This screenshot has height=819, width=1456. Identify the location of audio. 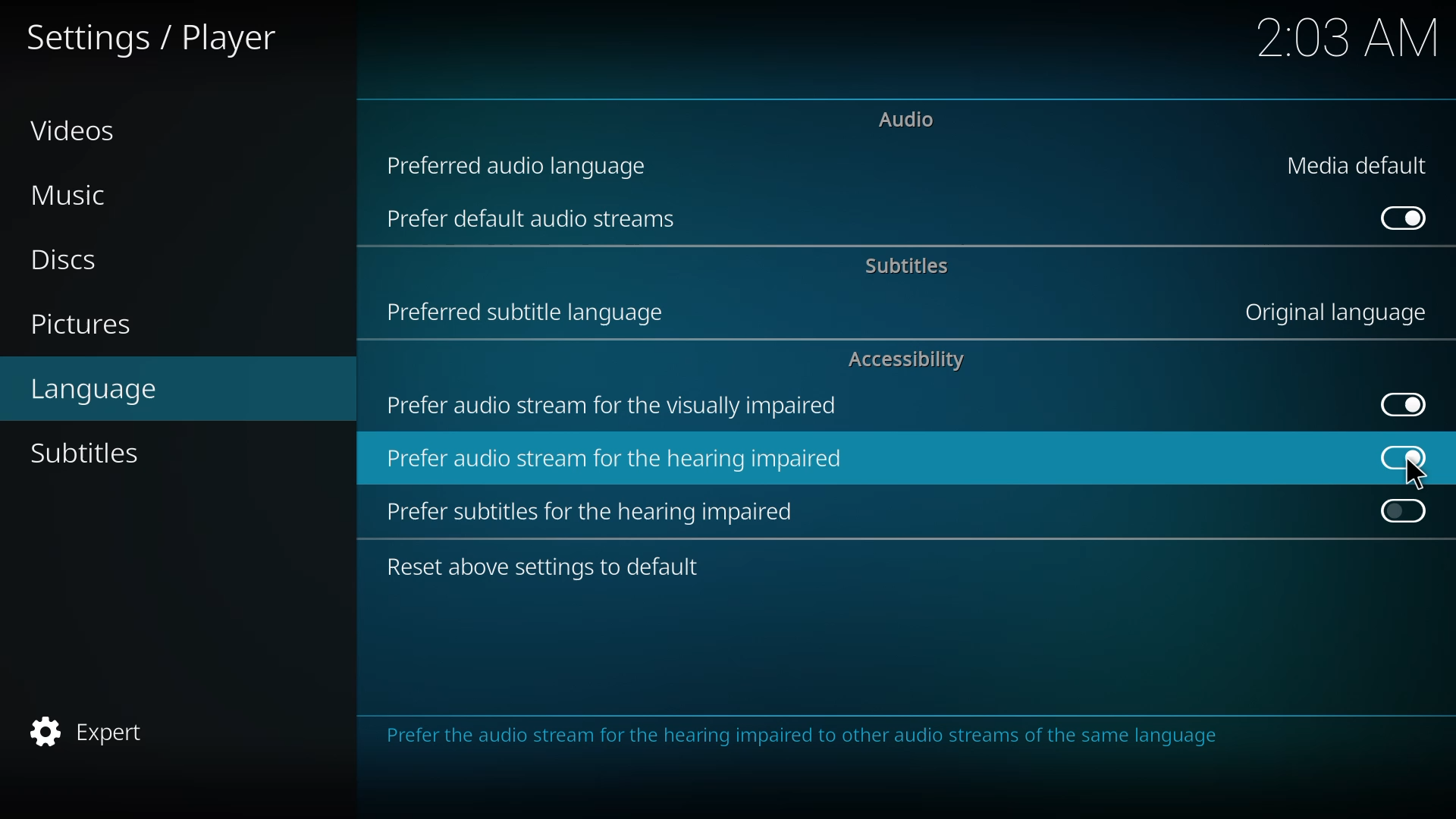
(906, 118).